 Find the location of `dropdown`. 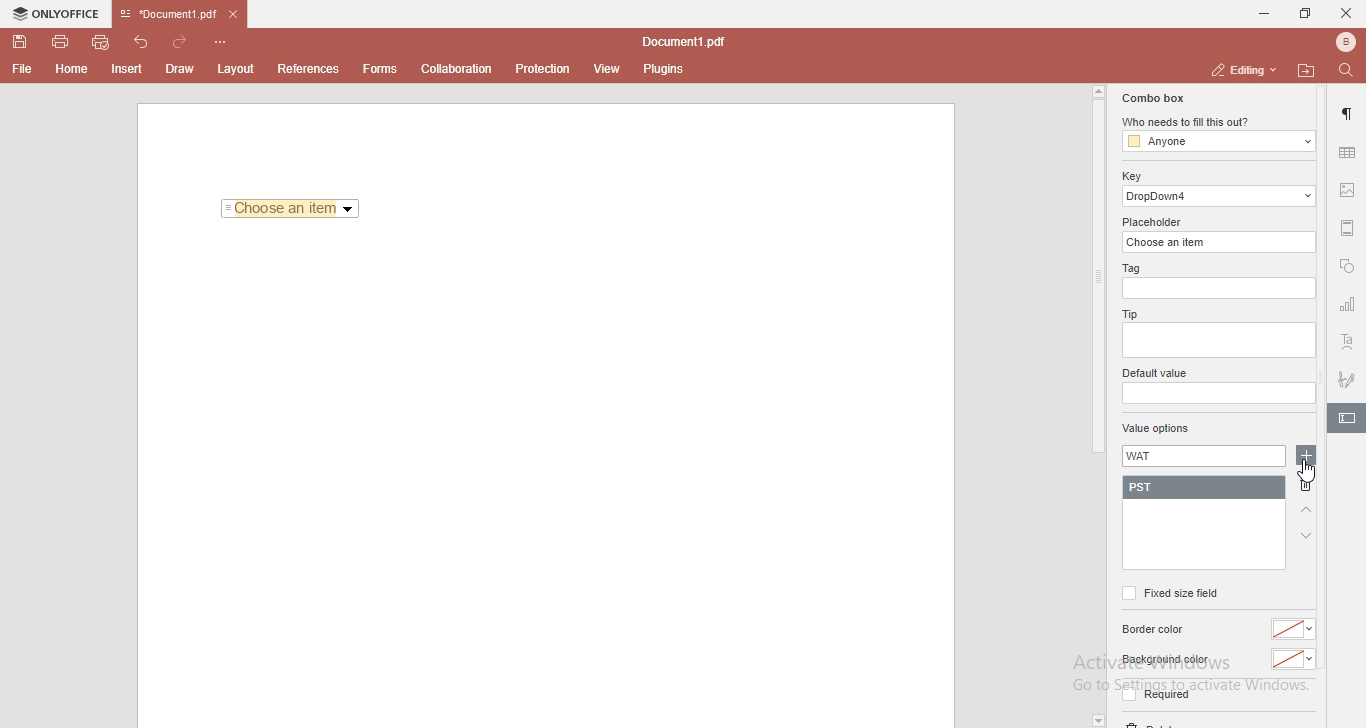

dropdown is located at coordinates (1097, 720).